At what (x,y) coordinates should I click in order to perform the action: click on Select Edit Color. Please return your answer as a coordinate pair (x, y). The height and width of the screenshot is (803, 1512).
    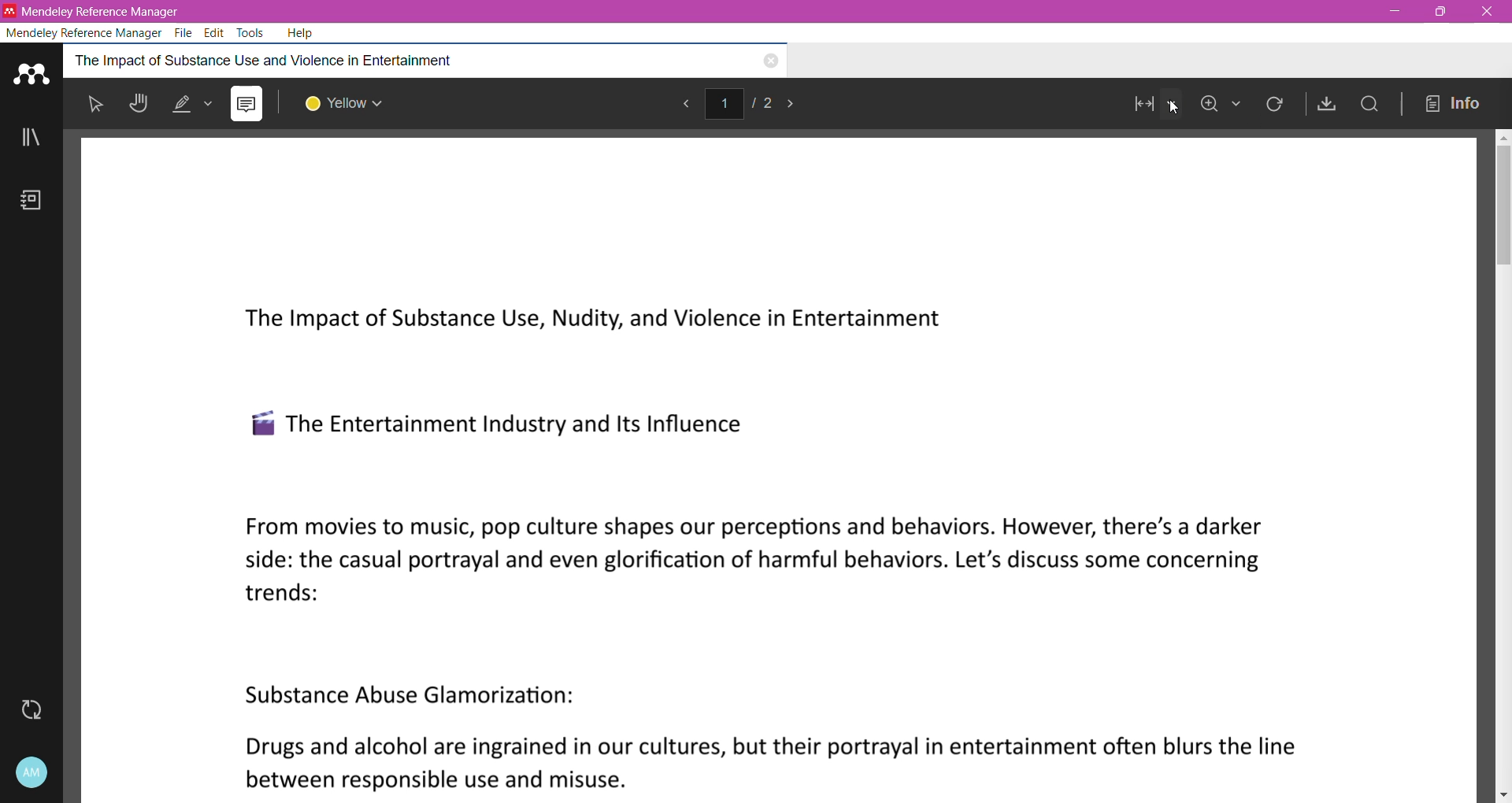
    Looking at the image, I should click on (352, 104).